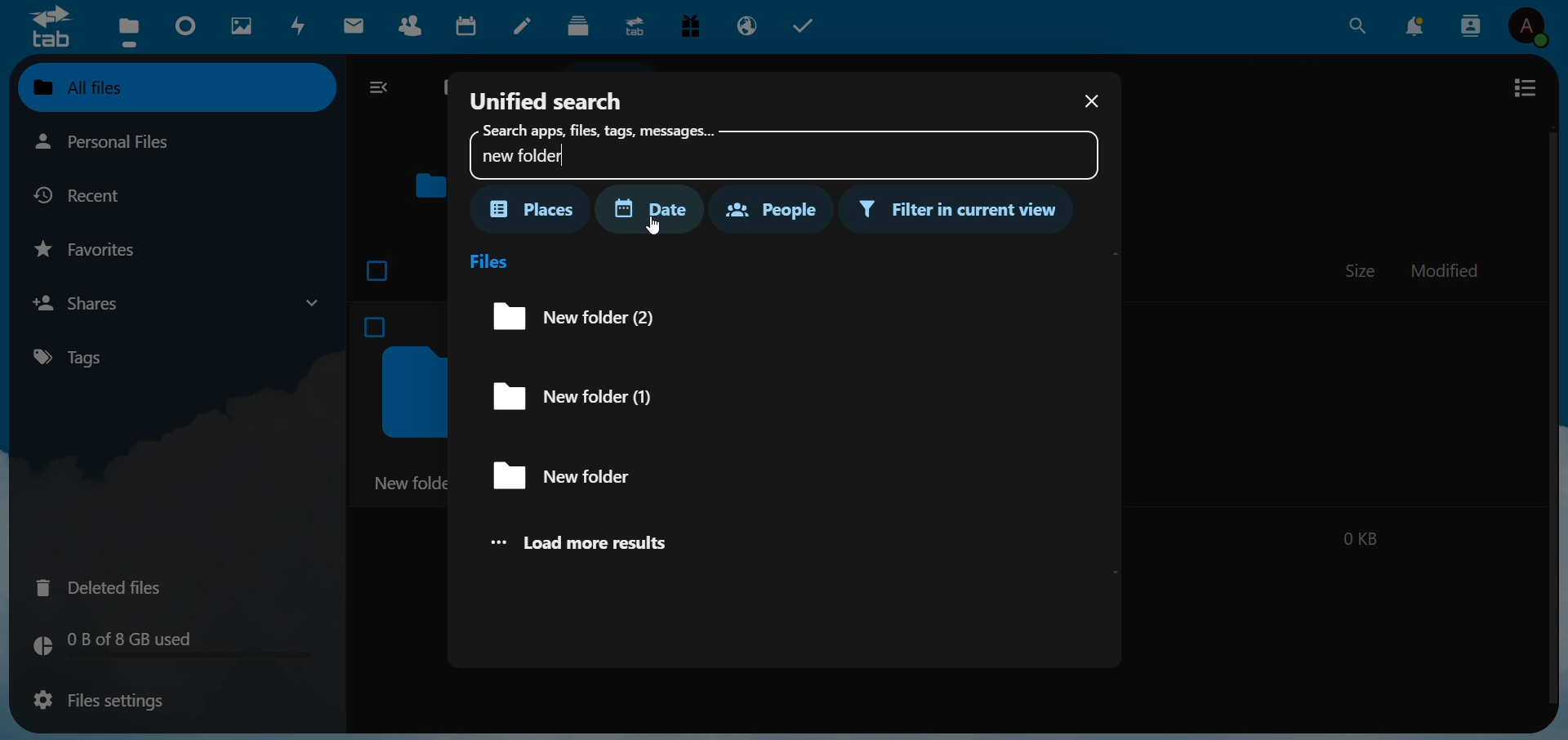 The image size is (1568, 740). Describe the element at coordinates (637, 25) in the screenshot. I see `upgrade` at that location.